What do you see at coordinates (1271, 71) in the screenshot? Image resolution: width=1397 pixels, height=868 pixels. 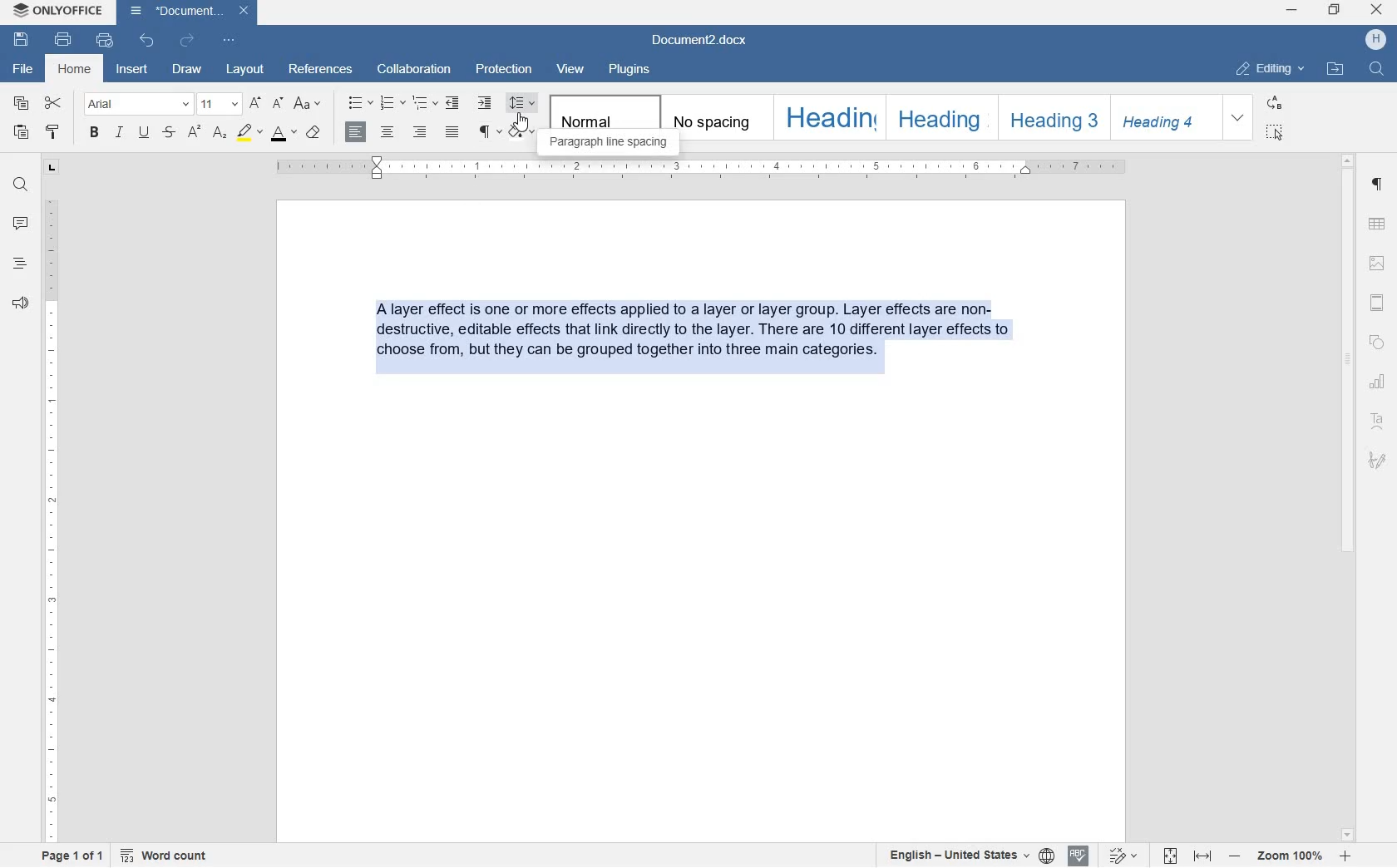 I see `editing` at bounding box center [1271, 71].